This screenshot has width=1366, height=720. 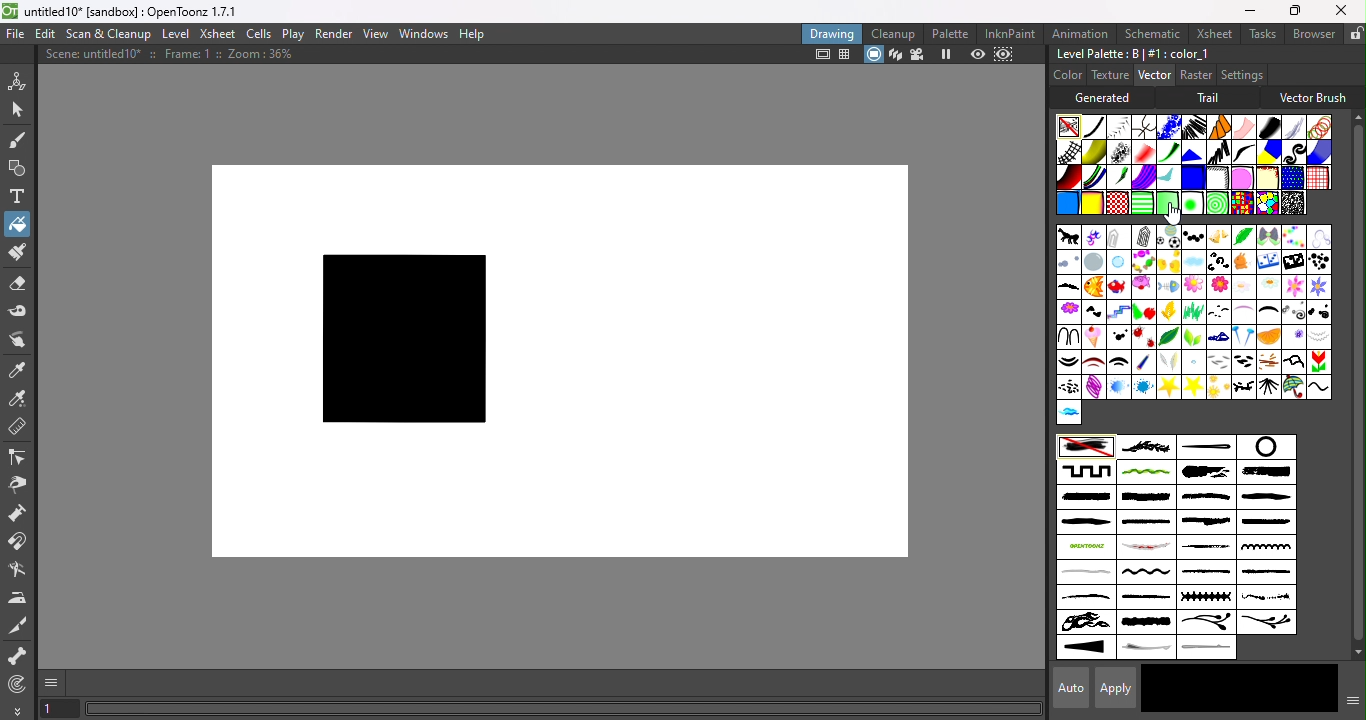 I want to click on Blob, so click(x=1242, y=177).